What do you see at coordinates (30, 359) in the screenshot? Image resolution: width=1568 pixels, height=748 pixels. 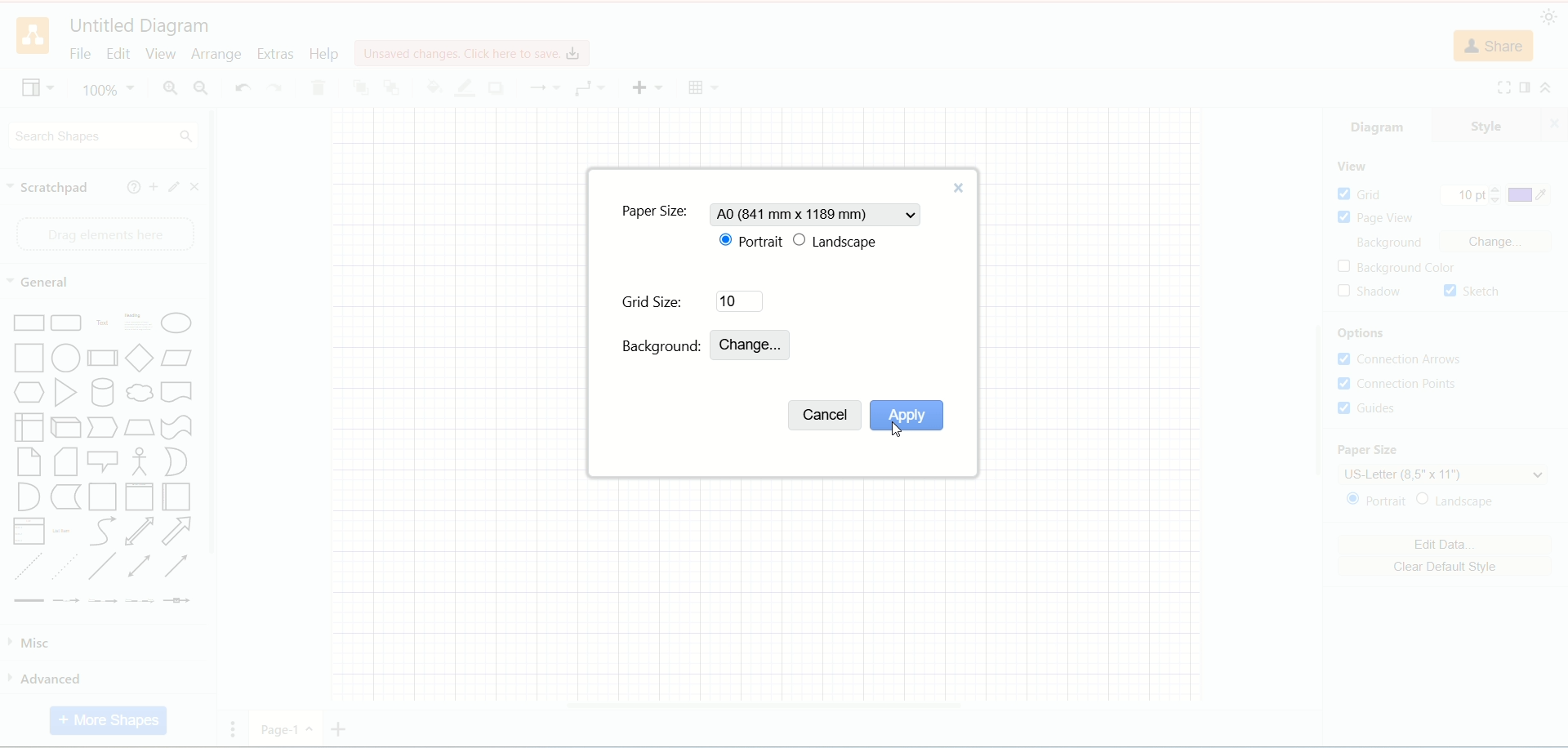 I see `Square` at bounding box center [30, 359].